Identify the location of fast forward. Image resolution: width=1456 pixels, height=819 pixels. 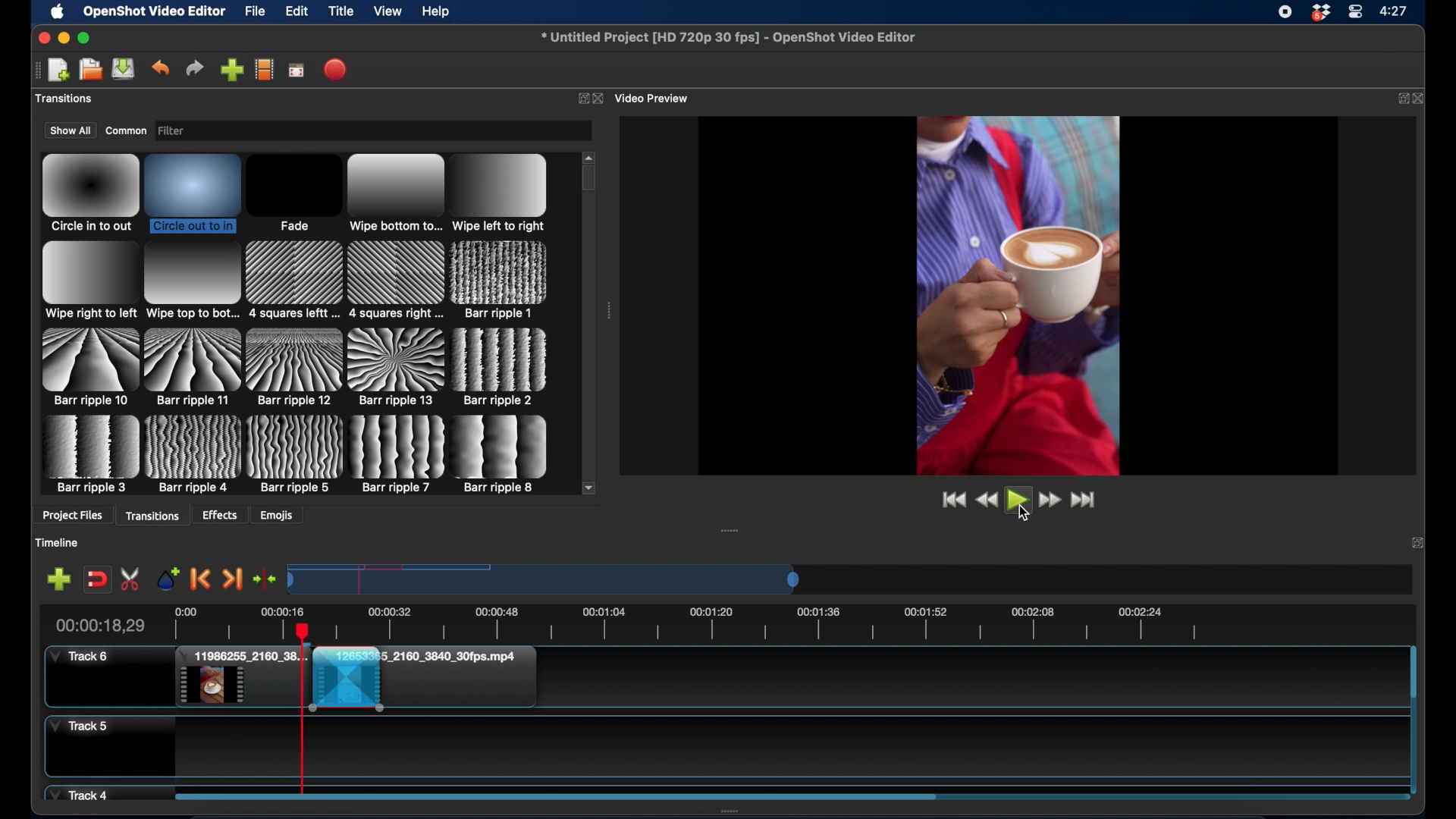
(1053, 506).